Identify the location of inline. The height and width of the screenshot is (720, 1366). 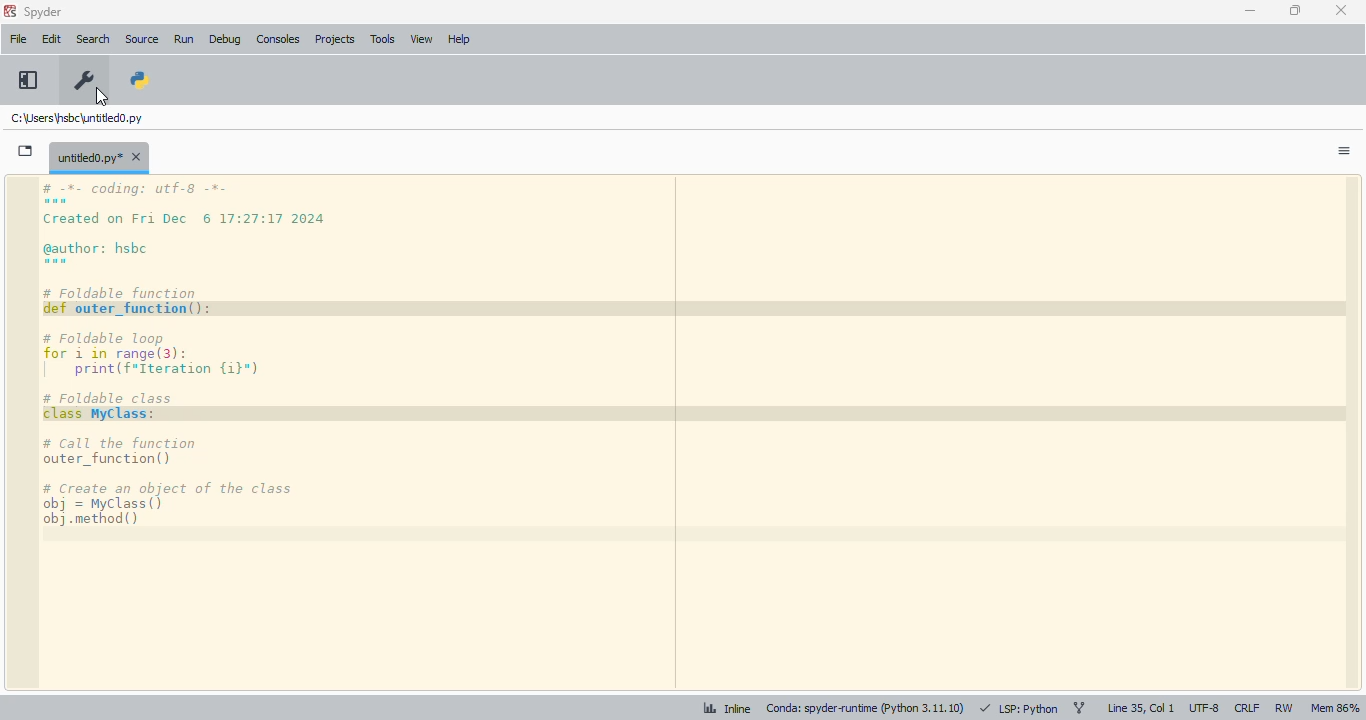
(727, 708).